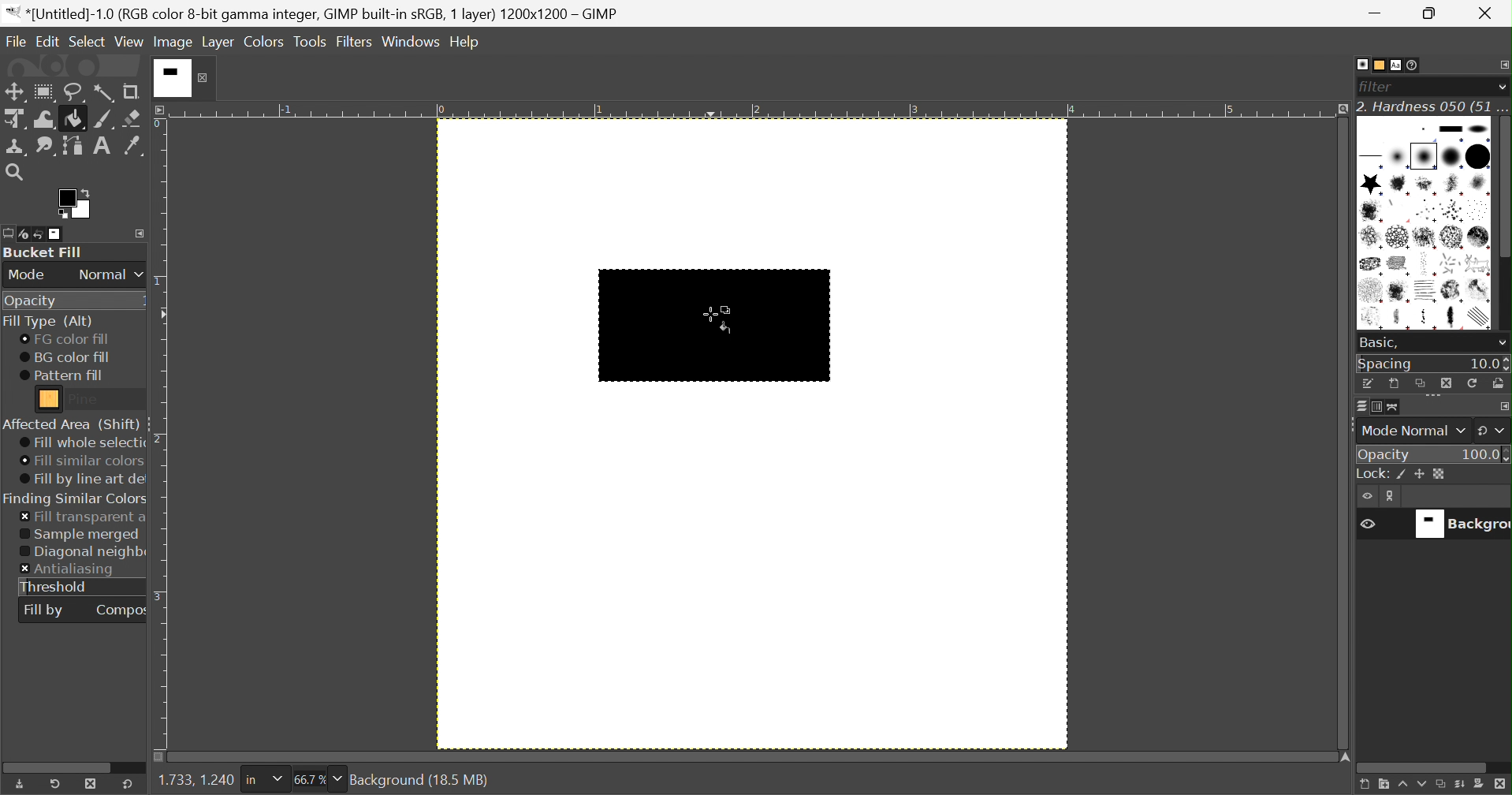 The width and height of the screenshot is (1512, 795). I want to click on Bucket Fill, so click(45, 252).